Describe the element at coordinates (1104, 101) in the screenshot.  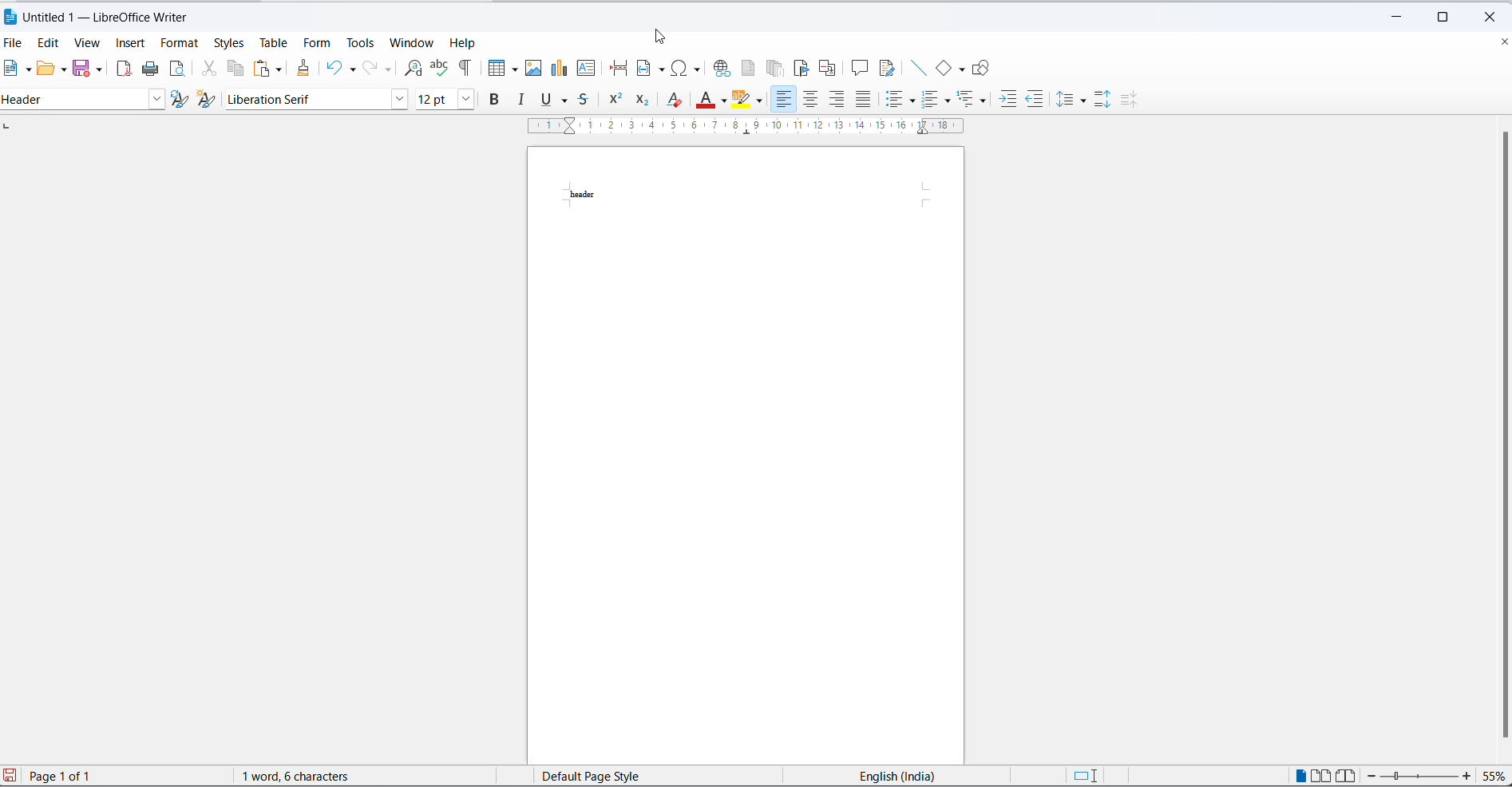
I see `increase paragraph spacing` at that location.